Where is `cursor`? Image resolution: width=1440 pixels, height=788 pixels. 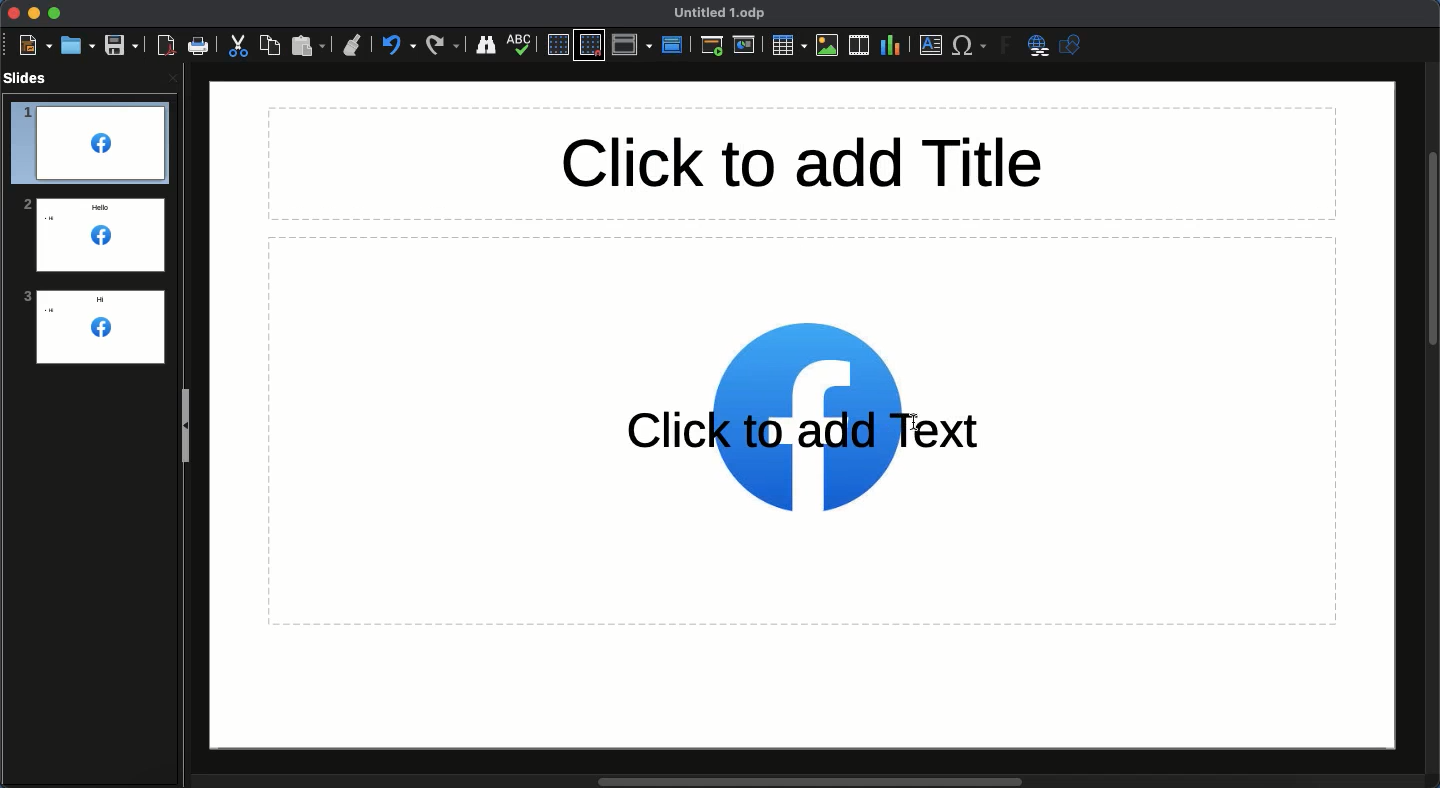 cursor is located at coordinates (915, 417).